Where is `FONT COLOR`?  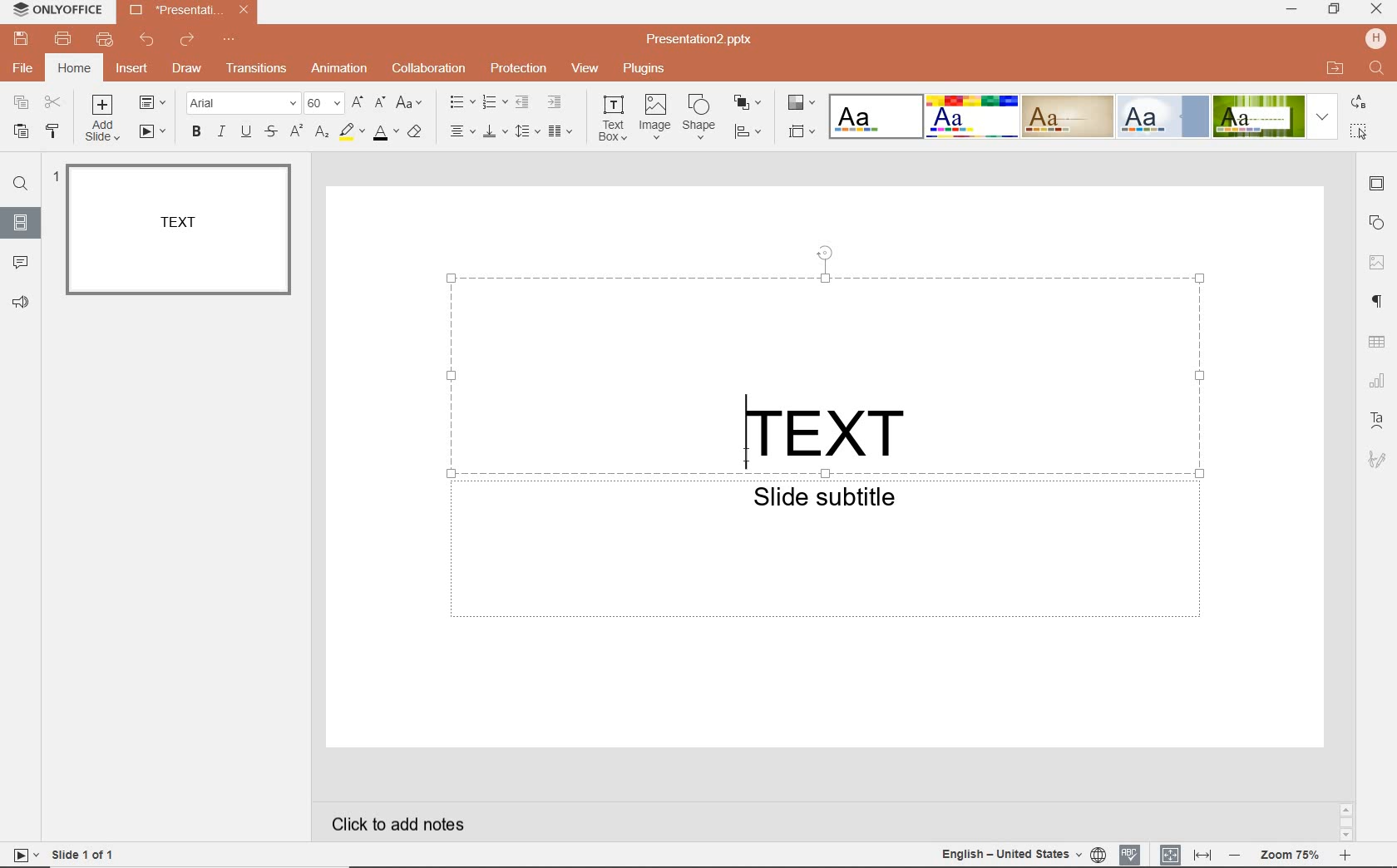 FONT COLOR is located at coordinates (384, 133).